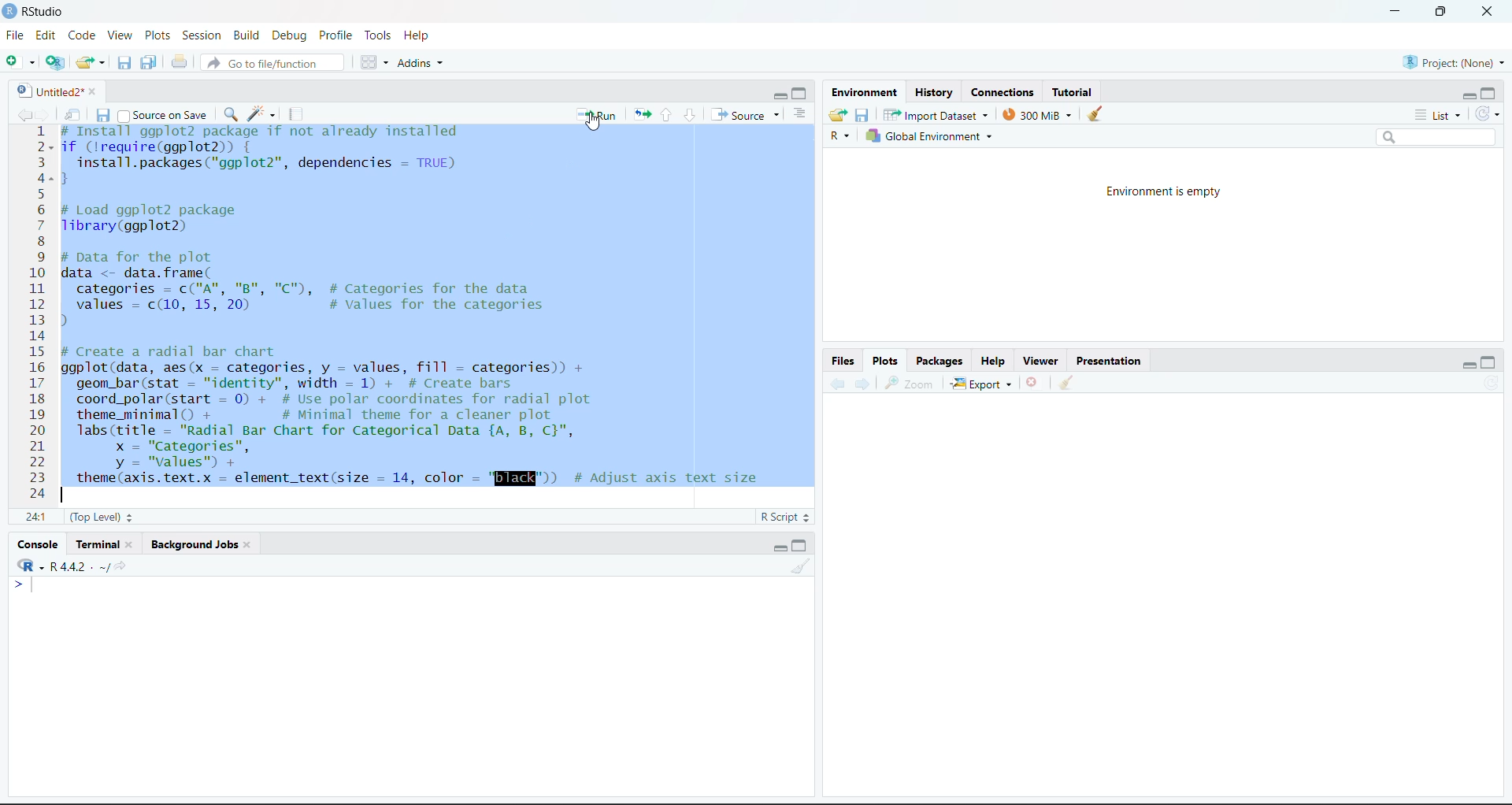 Image resolution: width=1512 pixels, height=805 pixels. What do you see at coordinates (69, 566) in the screenshot?
I see `®R-R442. ~/` at bounding box center [69, 566].